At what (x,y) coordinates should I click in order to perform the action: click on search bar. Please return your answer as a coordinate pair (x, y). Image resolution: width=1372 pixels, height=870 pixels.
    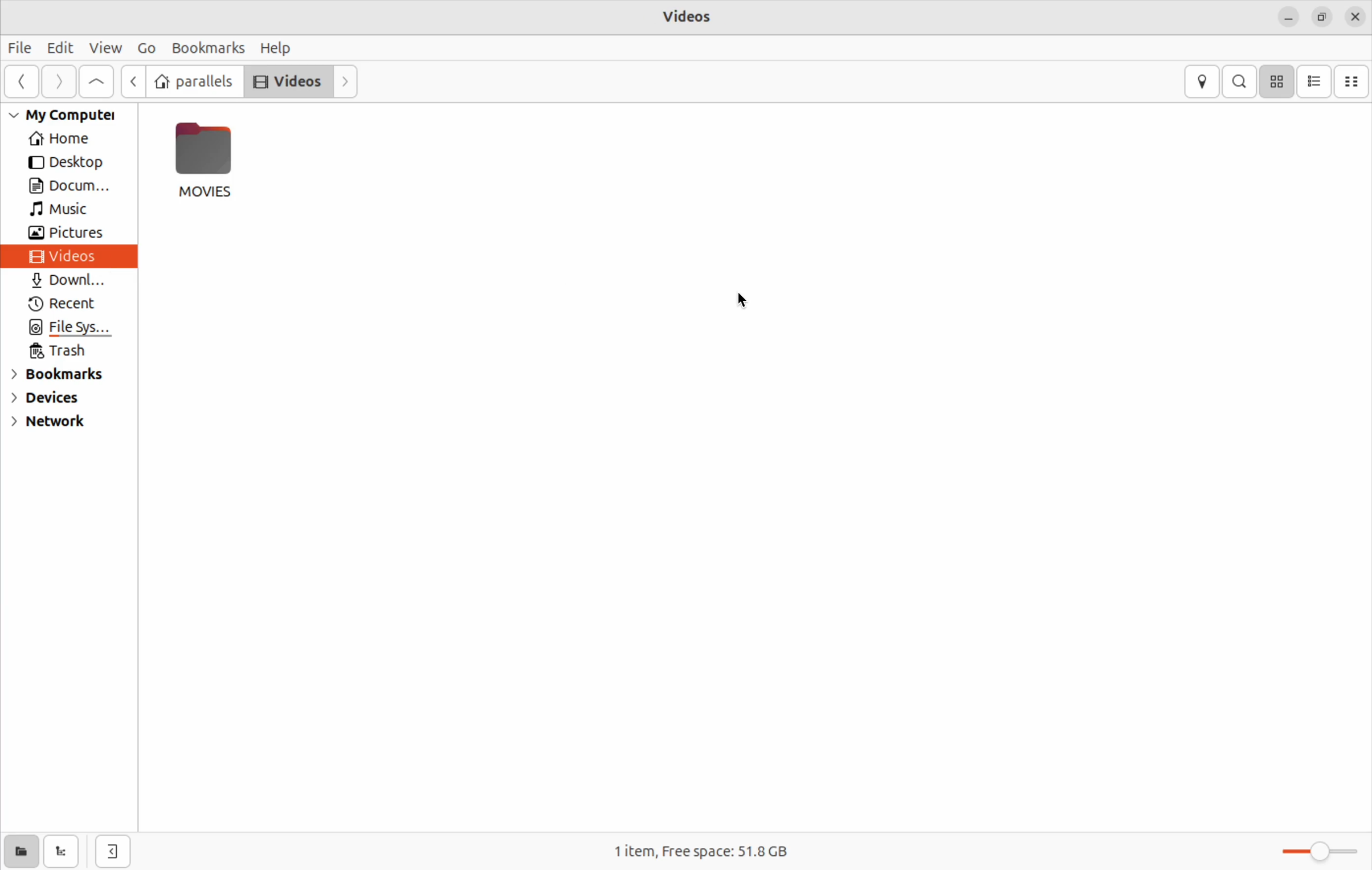
    Looking at the image, I should click on (1239, 80).